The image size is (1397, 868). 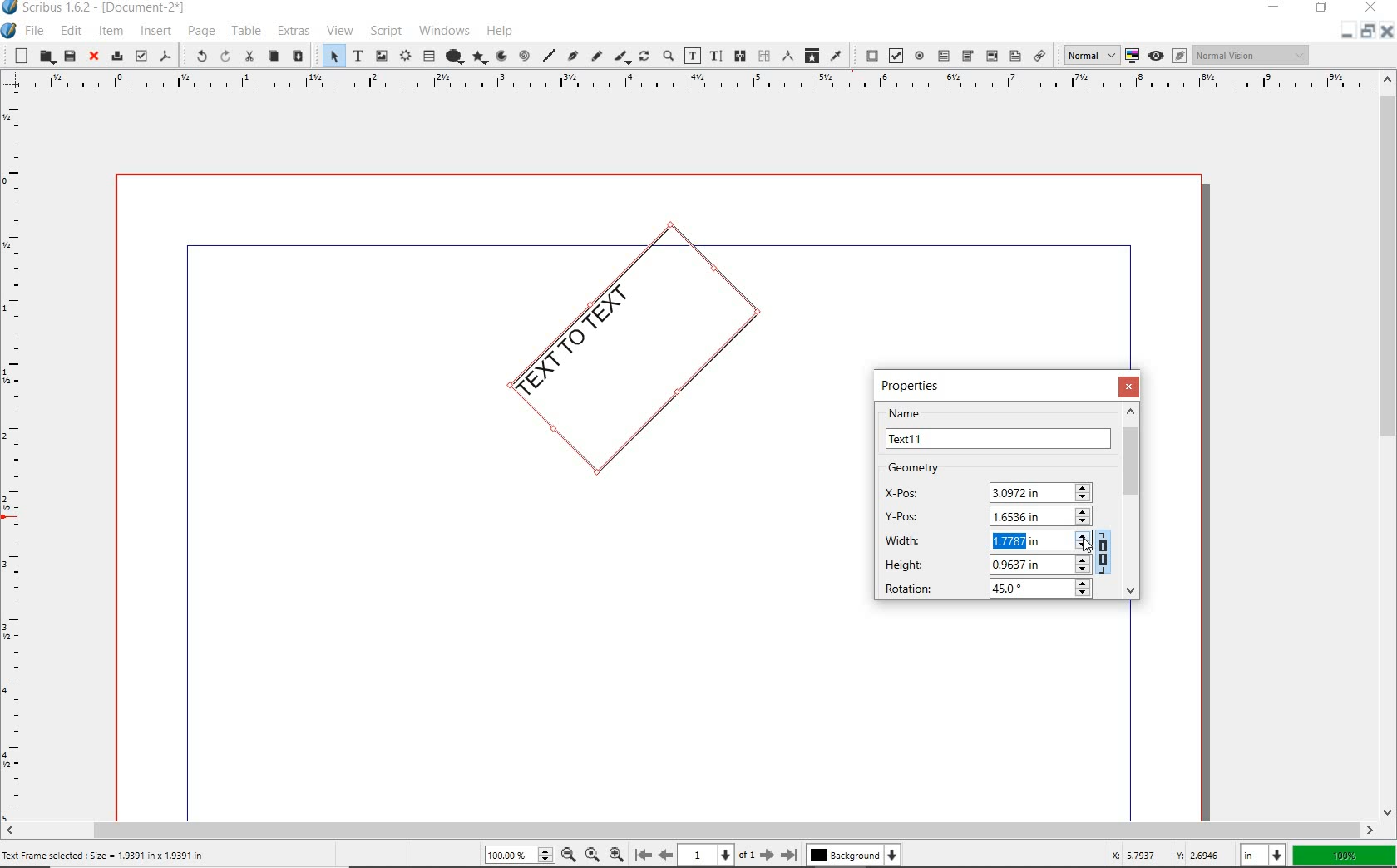 What do you see at coordinates (980, 541) in the screenshot?
I see `WIDTH` at bounding box center [980, 541].